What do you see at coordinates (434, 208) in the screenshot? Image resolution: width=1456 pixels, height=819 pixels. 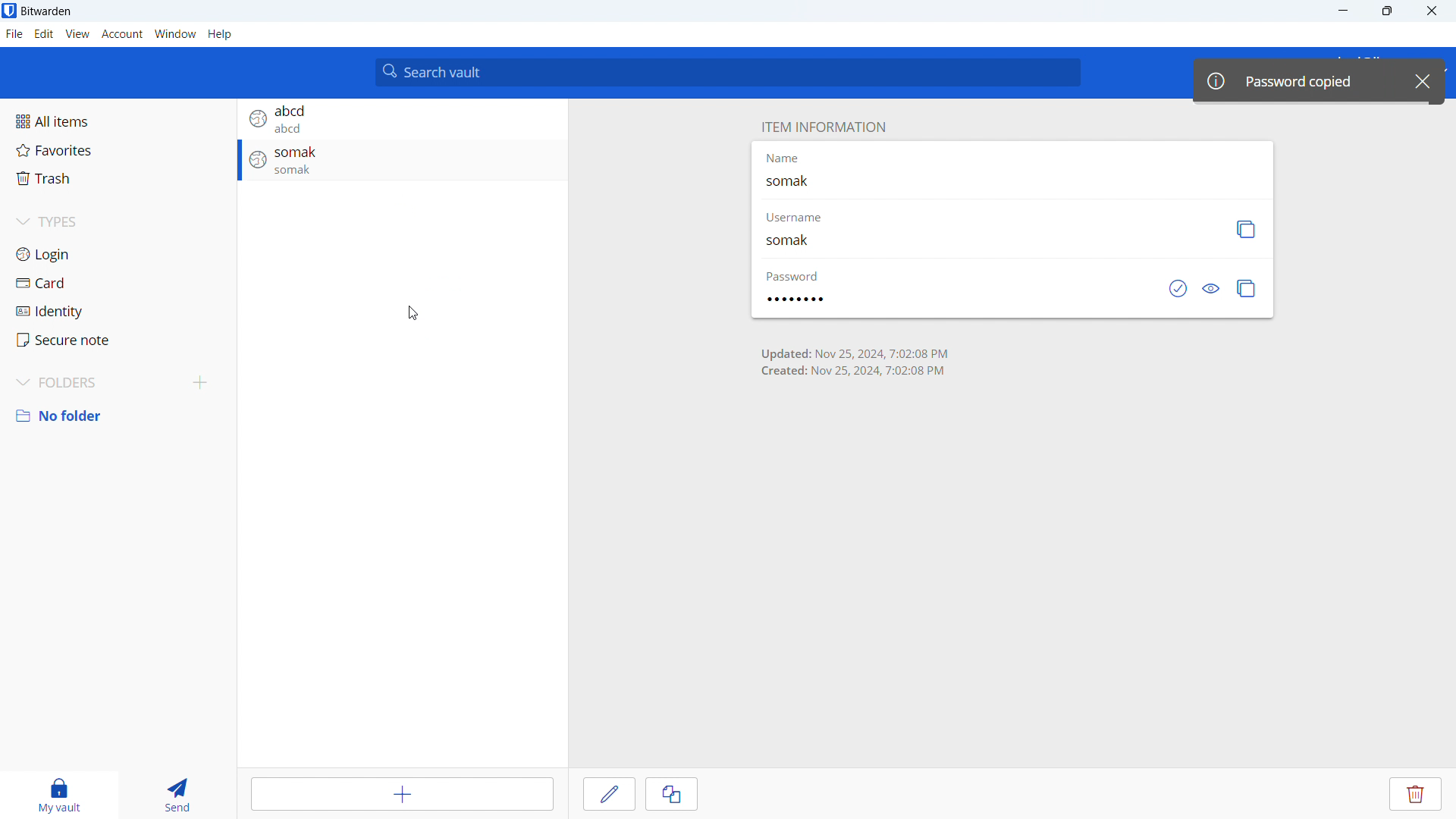 I see `edit` at bounding box center [434, 208].